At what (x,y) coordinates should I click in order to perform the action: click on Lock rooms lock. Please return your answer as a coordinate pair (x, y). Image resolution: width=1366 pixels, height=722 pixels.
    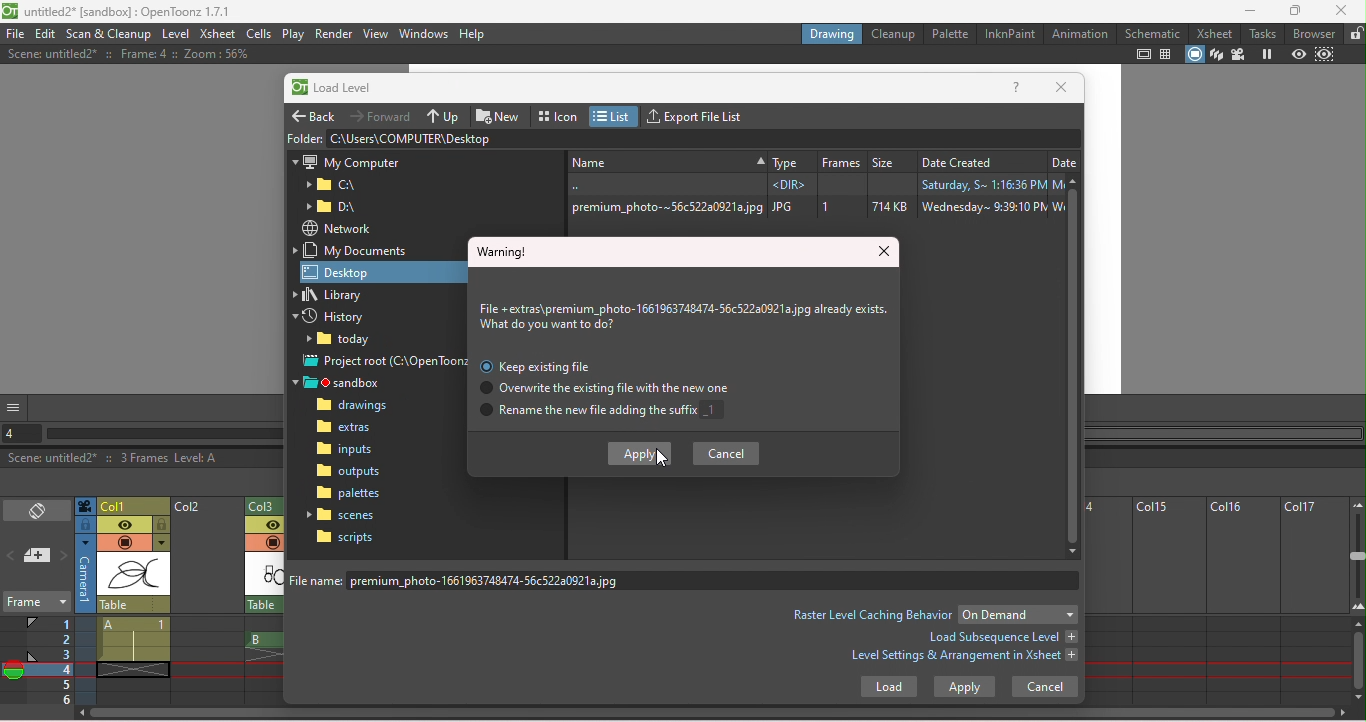
    Looking at the image, I should click on (1355, 33).